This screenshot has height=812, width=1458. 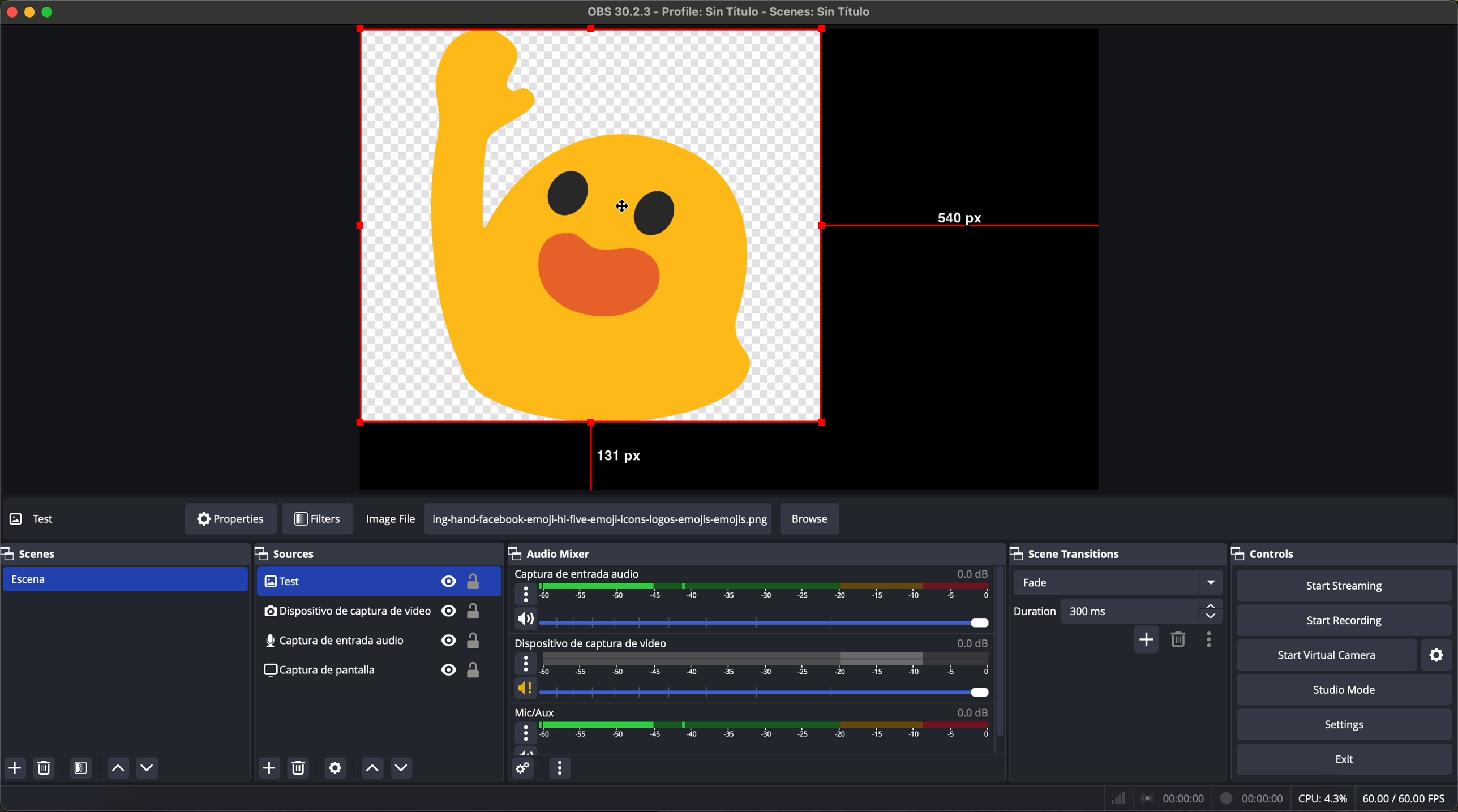 I want to click on minimize program, so click(x=30, y=12).